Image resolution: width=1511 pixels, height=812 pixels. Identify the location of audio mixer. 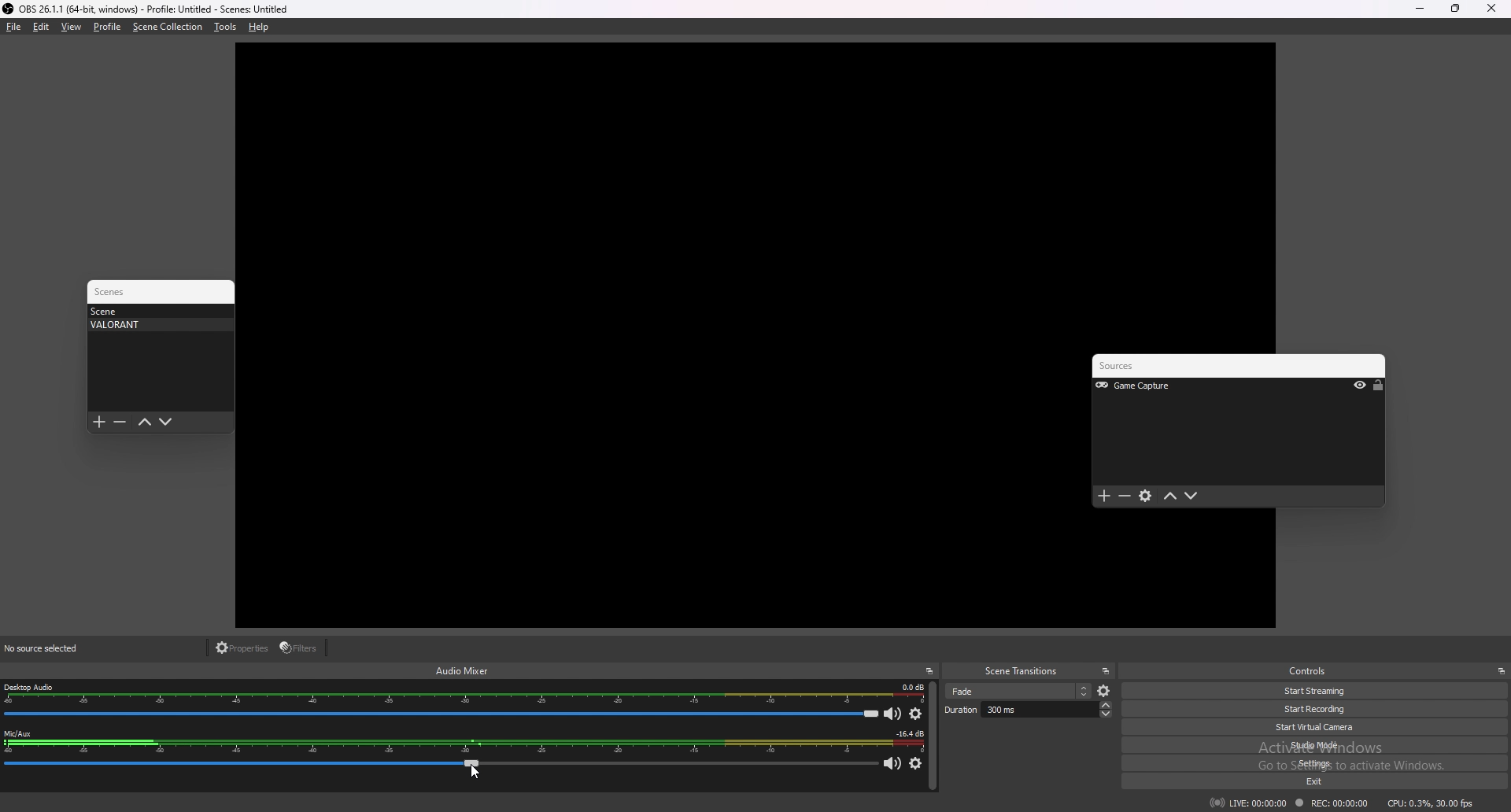
(463, 670).